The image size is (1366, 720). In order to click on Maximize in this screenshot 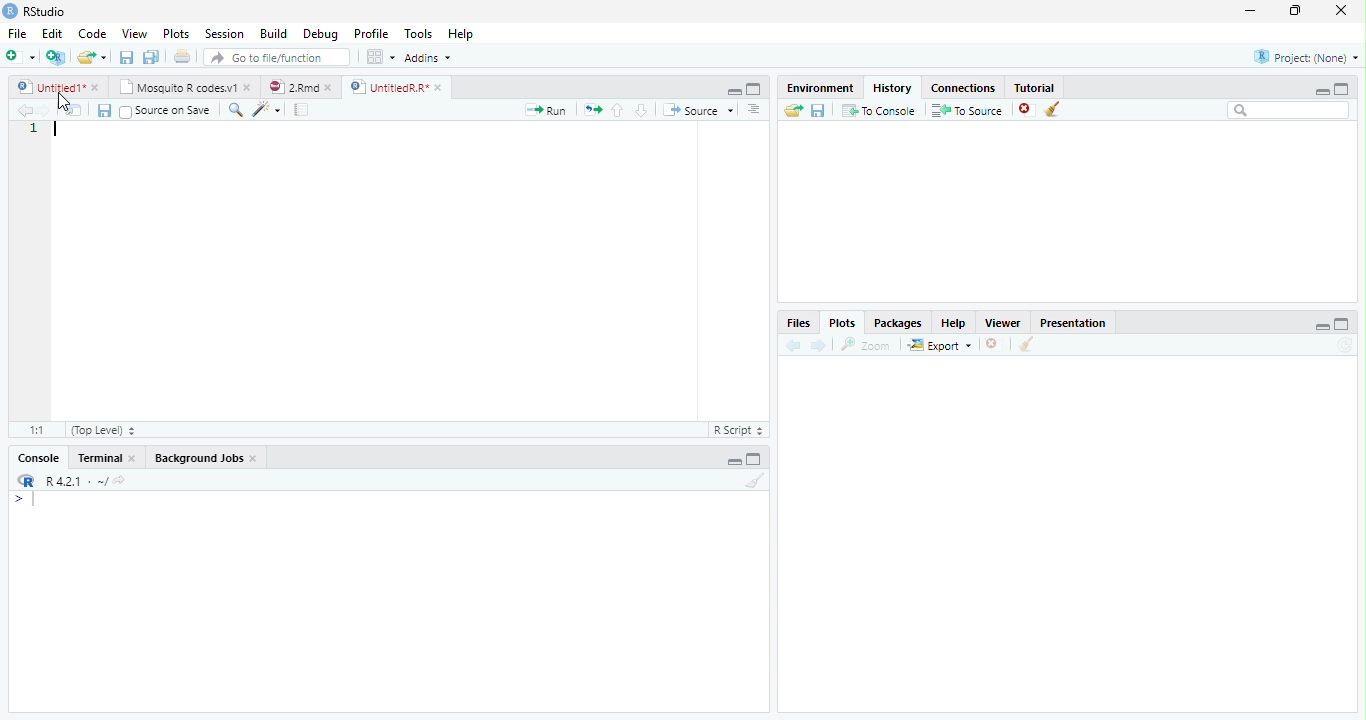, I will do `click(1342, 324)`.